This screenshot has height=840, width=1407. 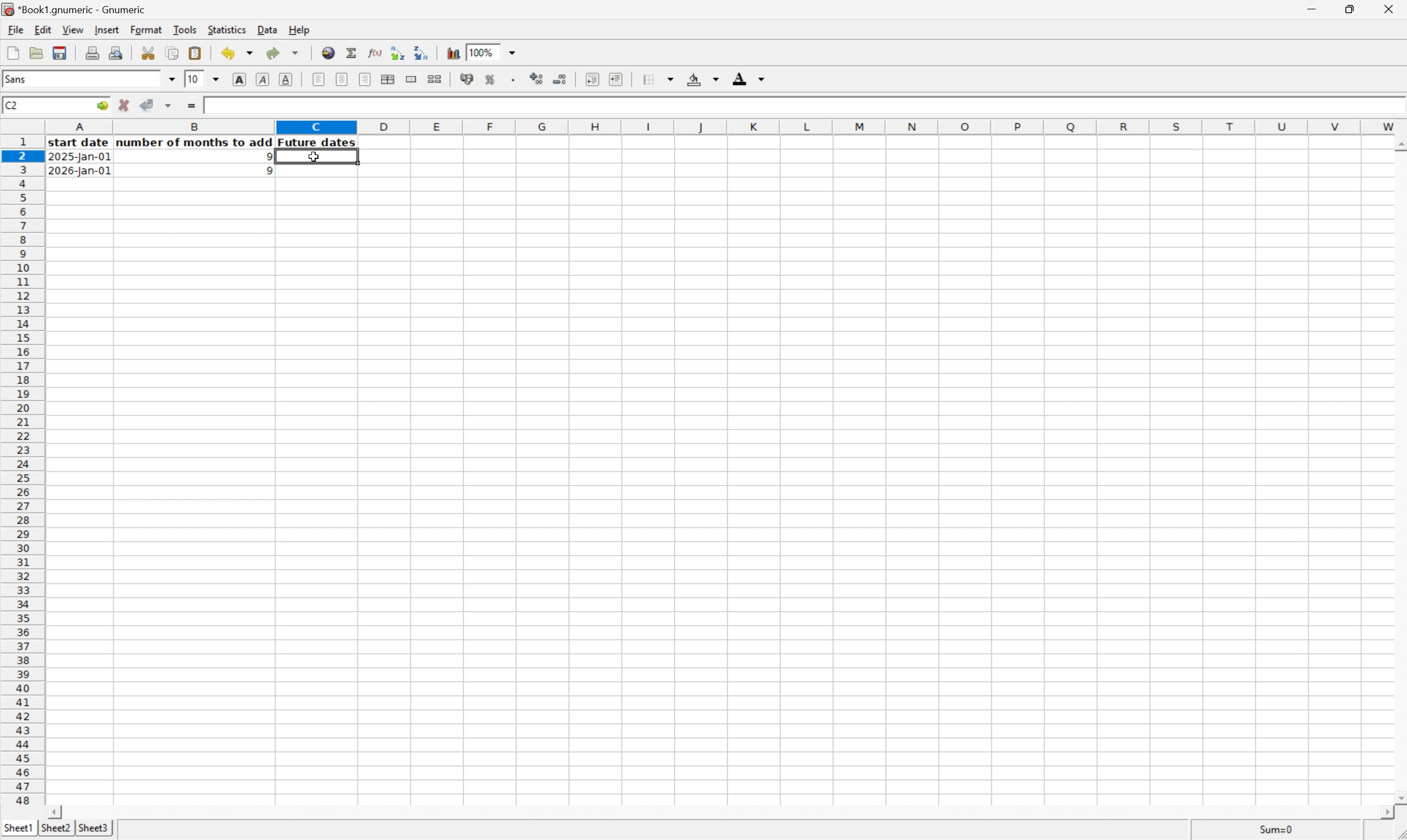 I want to click on Set the format of the selected cells to include a thousands separator, so click(x=514, y=80).